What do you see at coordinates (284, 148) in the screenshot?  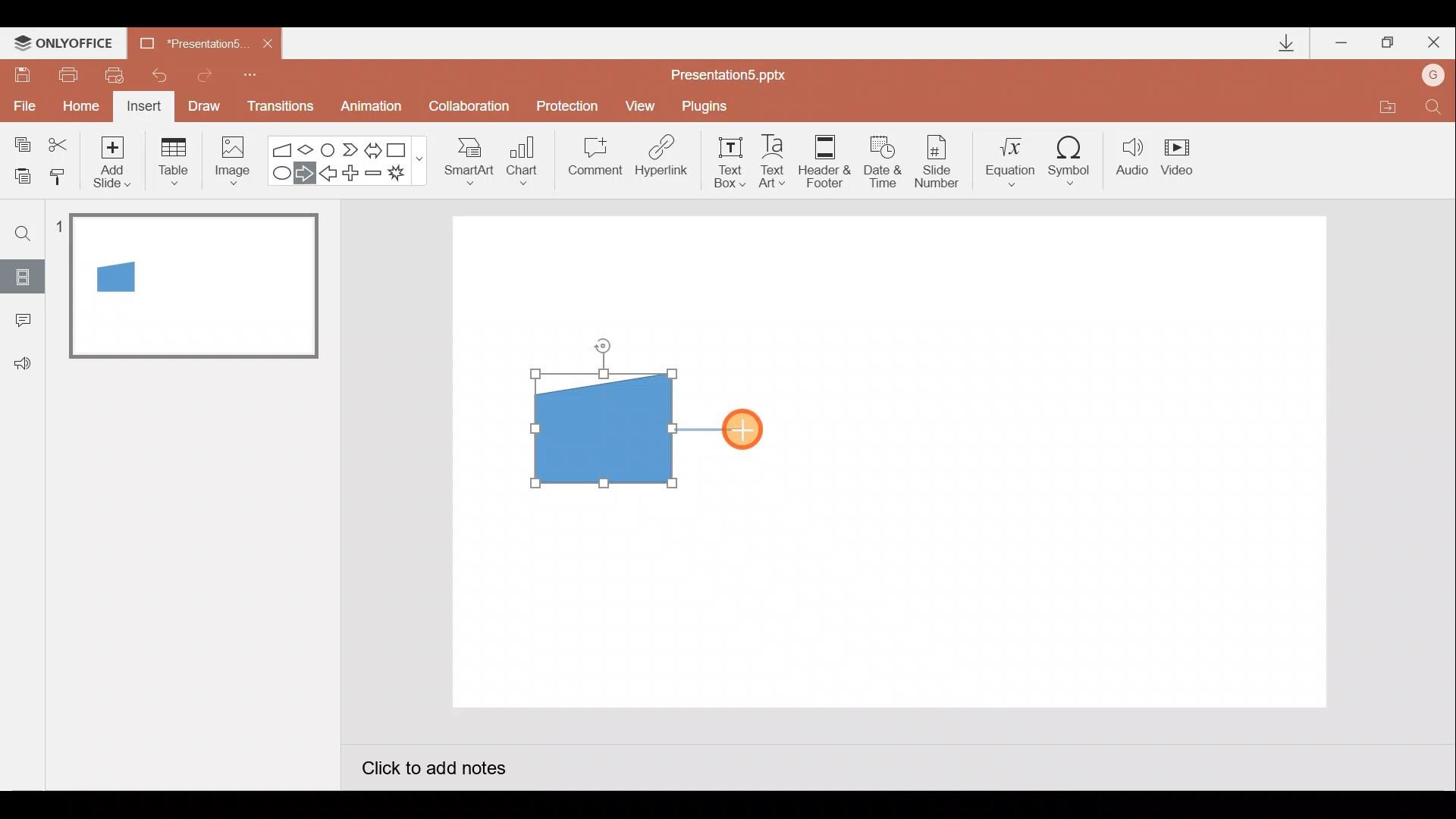 I see `Flowchart - manual input` at bounding box center [284, 148].